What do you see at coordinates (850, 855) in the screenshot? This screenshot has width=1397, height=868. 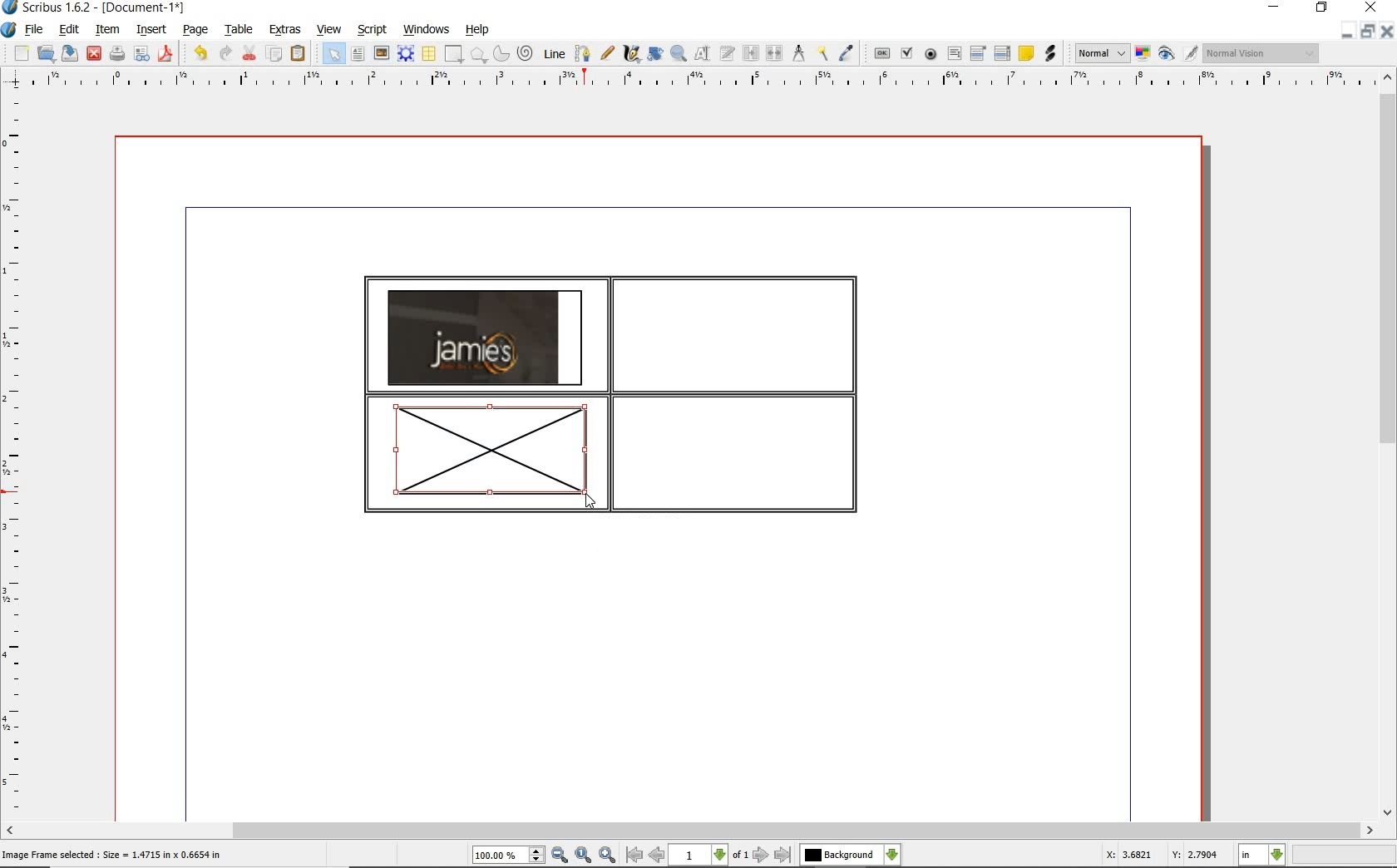 I see `select the current layer` at bounding box center [850, 855].